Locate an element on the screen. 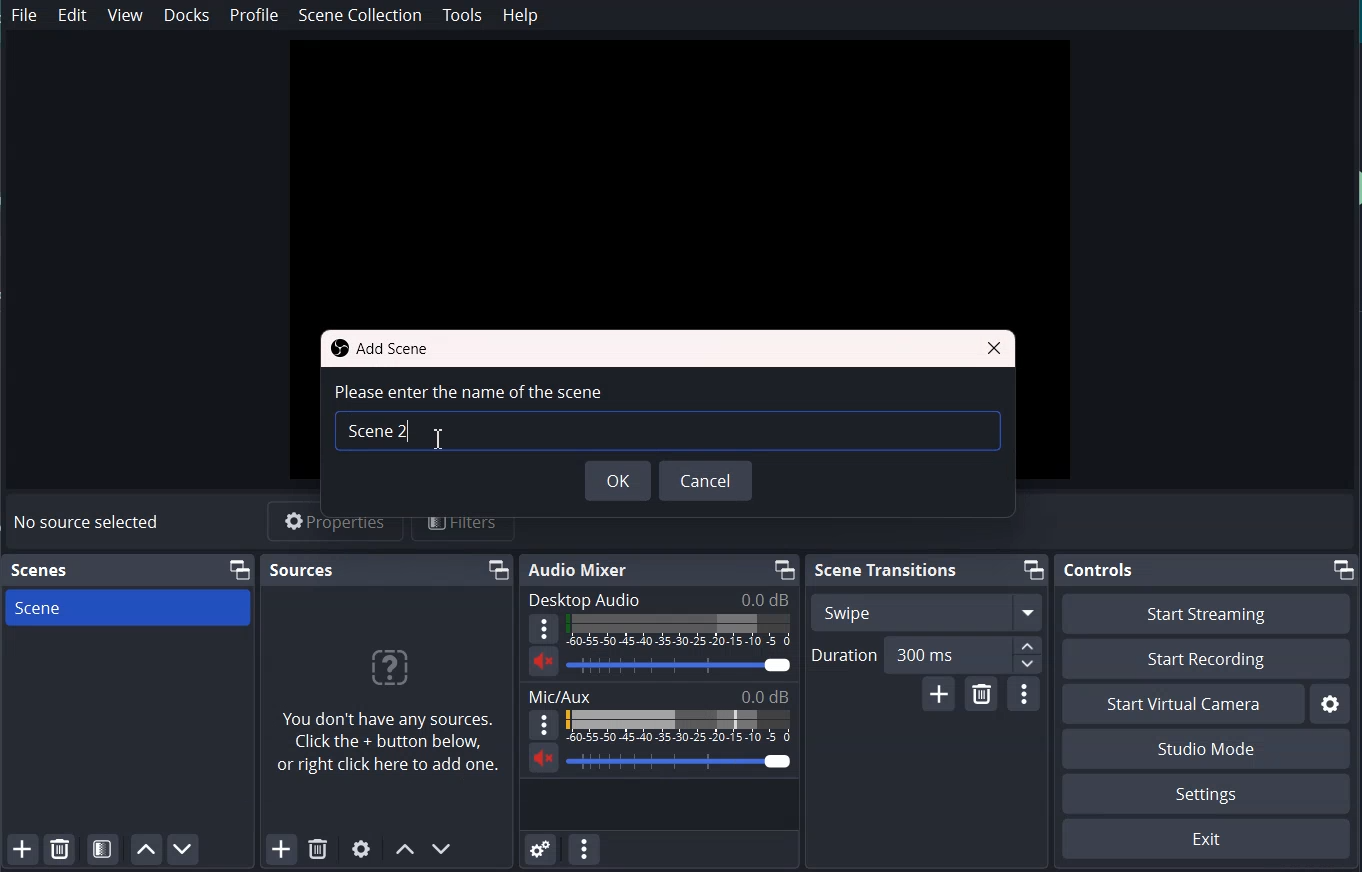  Tools is located at coordinates (463, 16).